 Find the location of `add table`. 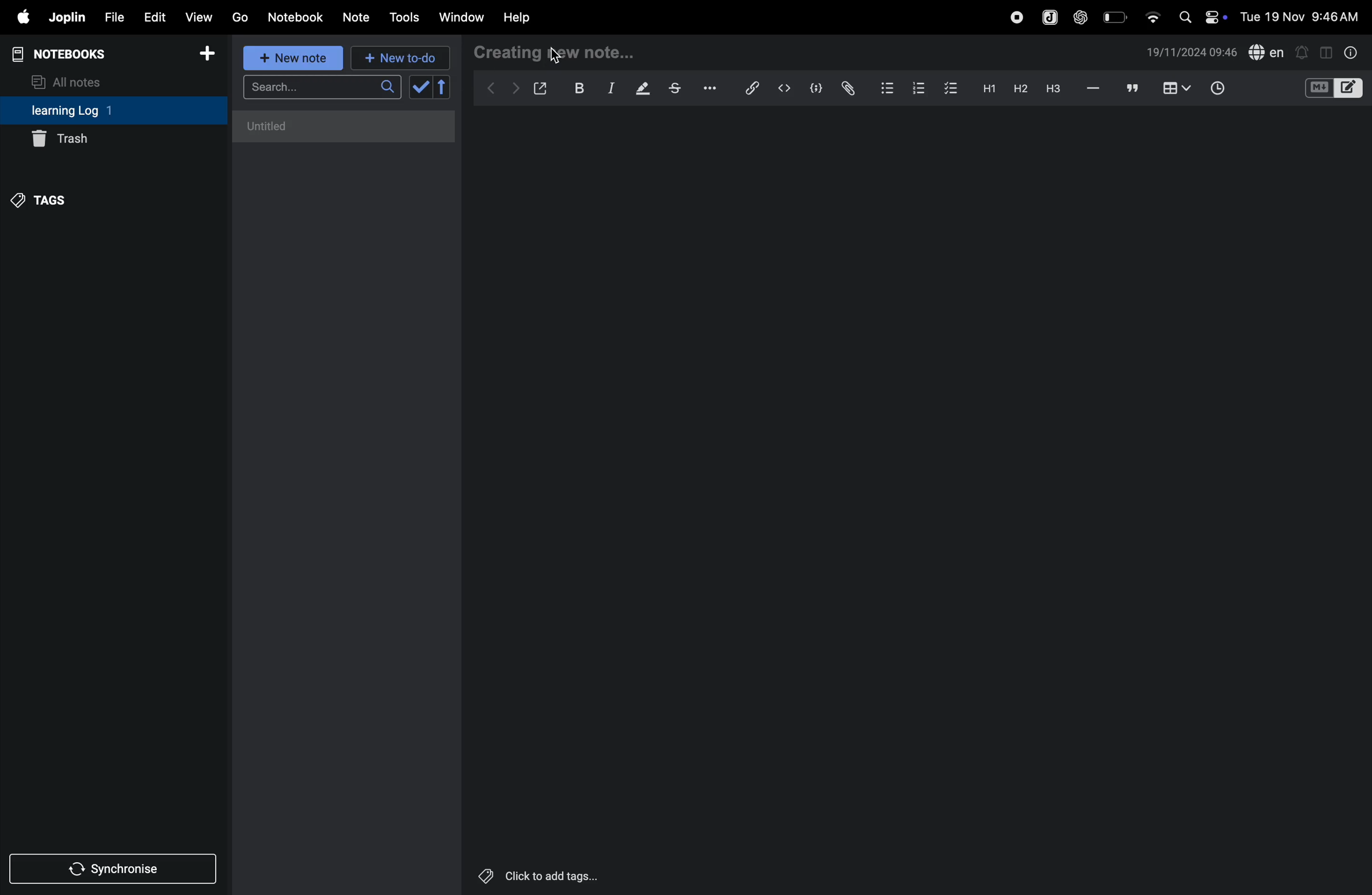

add table is located at coordinates (1174, 89).